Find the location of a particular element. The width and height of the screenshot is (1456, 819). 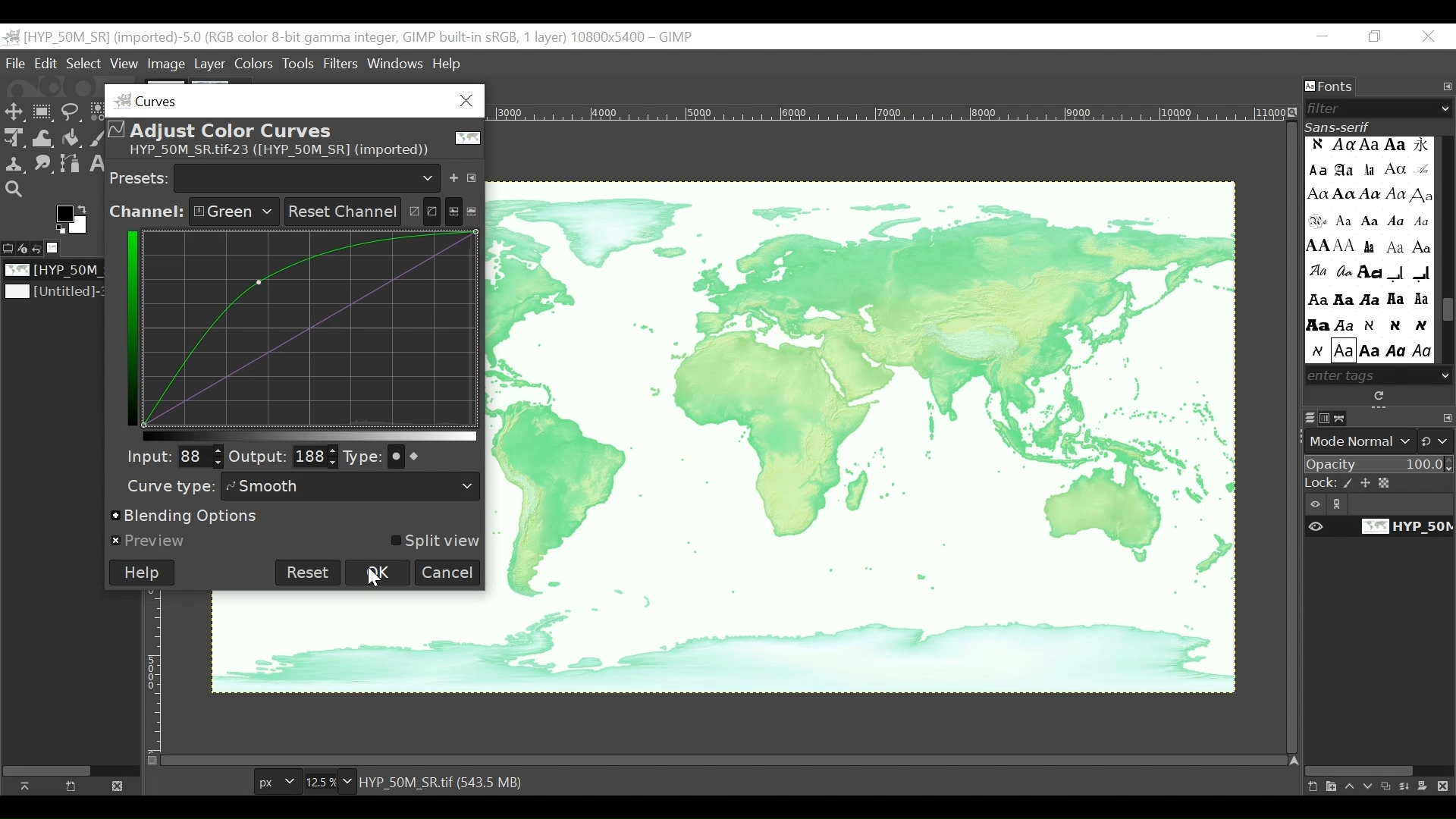

Minimize is located at coordinates (1323, 37).